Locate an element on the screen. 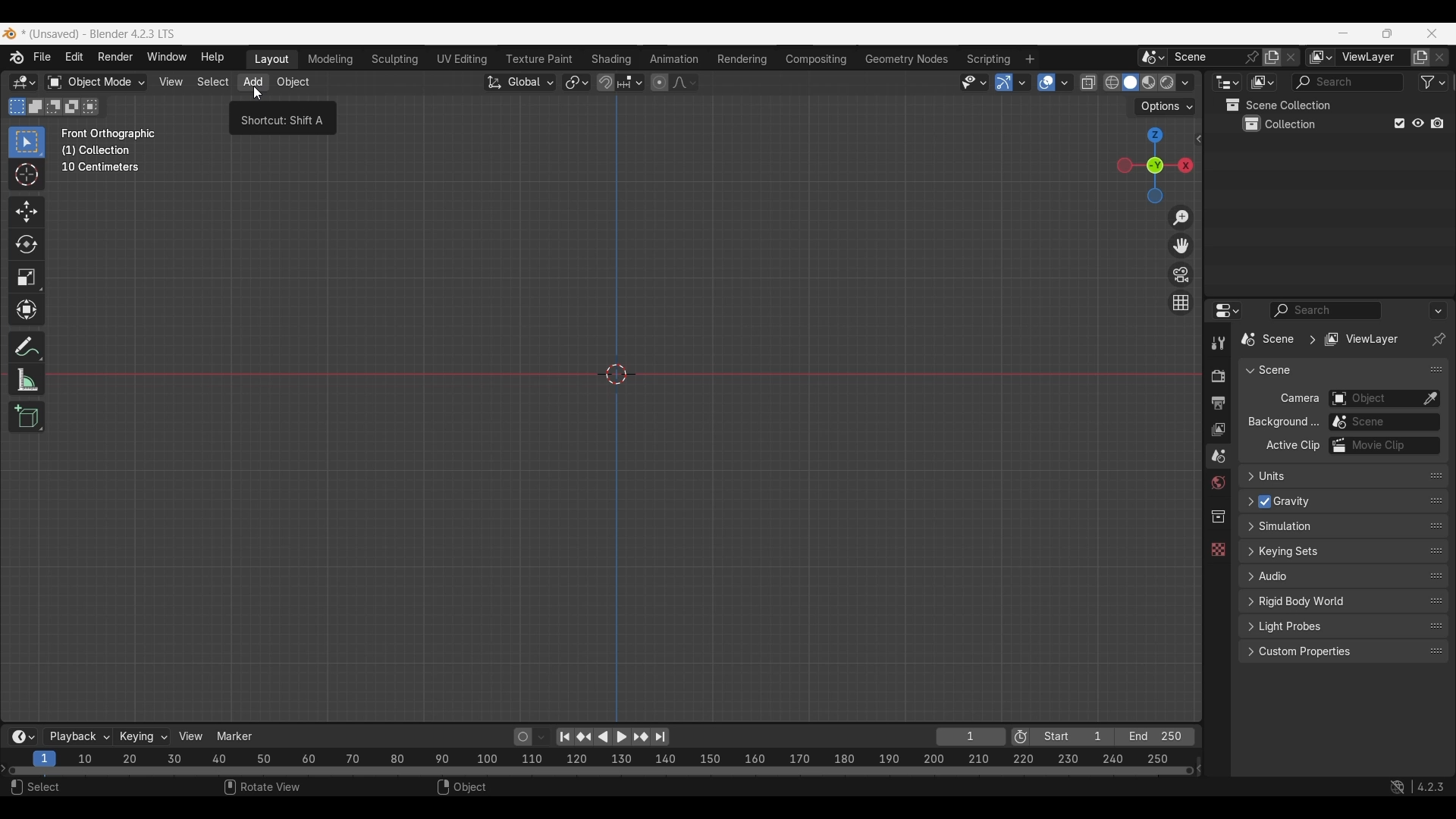 This screenshot has width=1456, height=819. The active workspace view layer showing in the window is located at coordinates (1321, 57).